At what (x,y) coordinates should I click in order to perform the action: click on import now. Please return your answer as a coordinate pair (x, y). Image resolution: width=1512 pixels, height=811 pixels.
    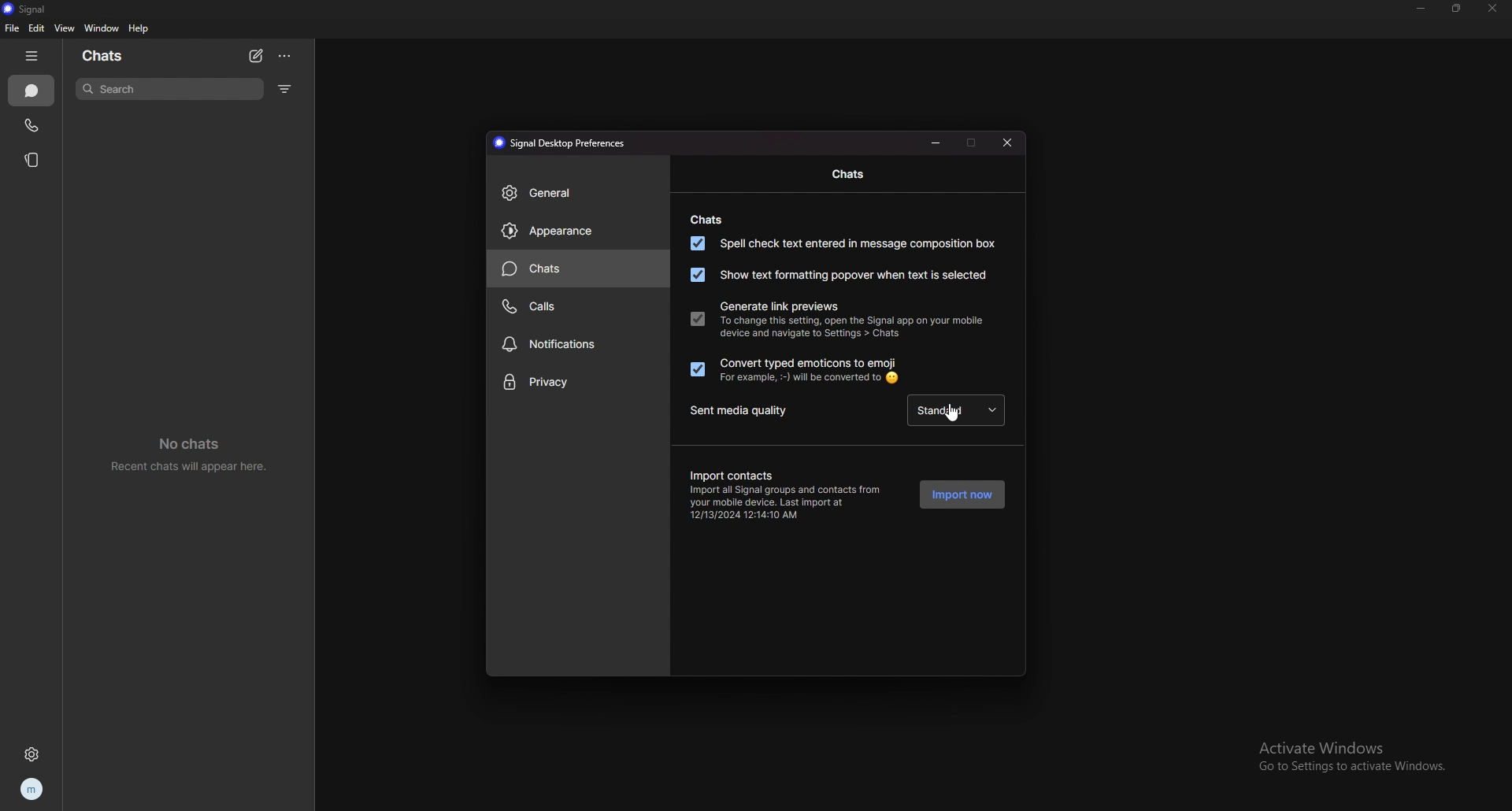
    Looking at the image, I should click on (962, 494).